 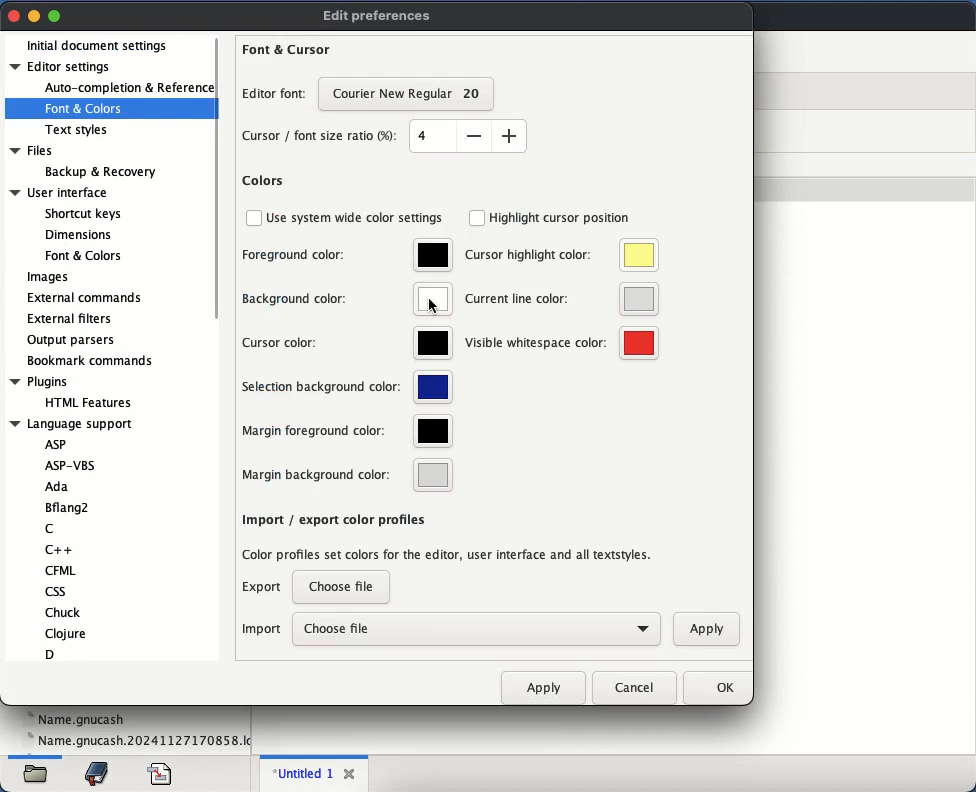 What do you see at coordinates (93, 361) in the screenshot?
I see `bookmark commands` at bounding box center [93, 361].